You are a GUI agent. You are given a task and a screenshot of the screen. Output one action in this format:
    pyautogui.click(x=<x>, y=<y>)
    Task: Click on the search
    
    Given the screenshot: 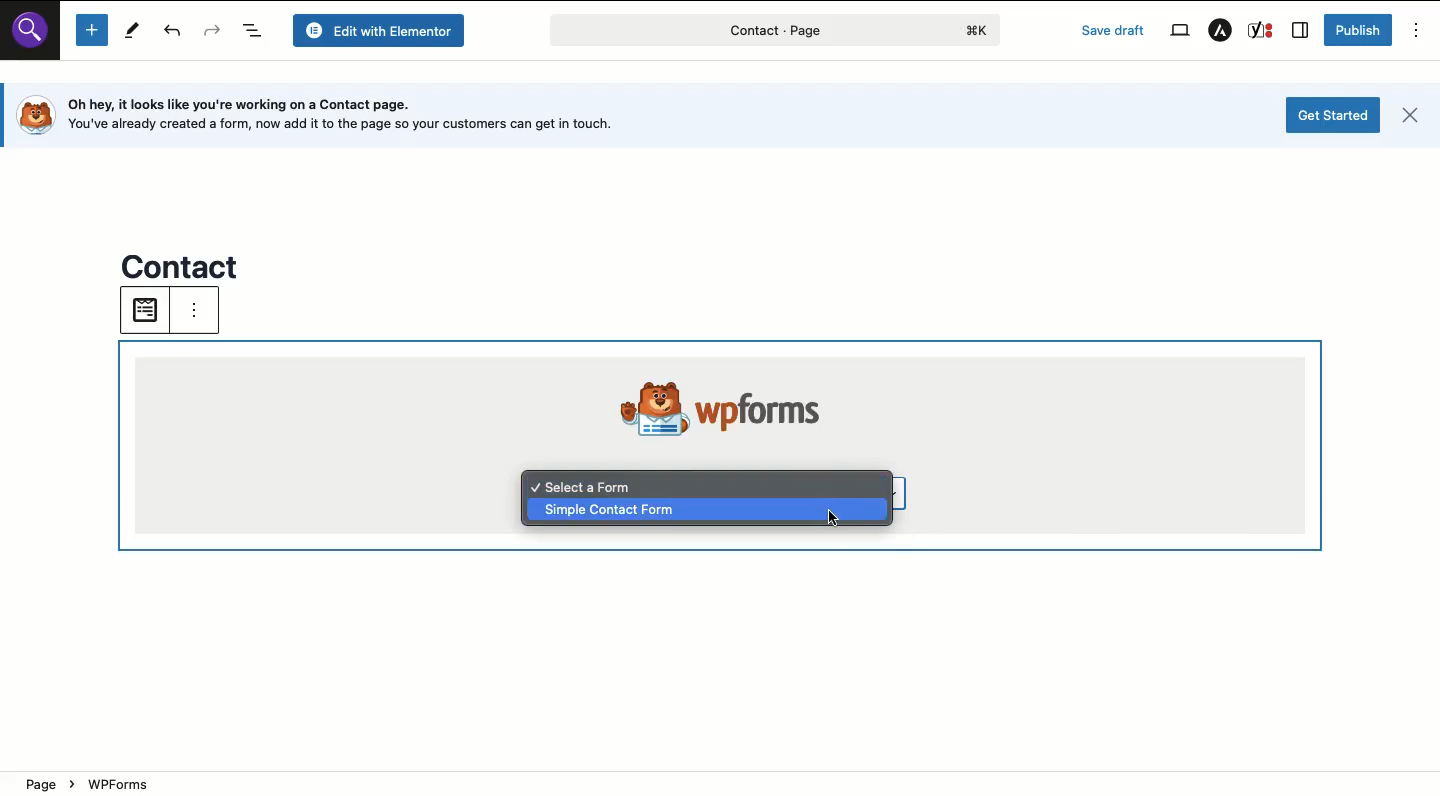 What is the action you would take?
    pyautogui.click(x=36, y=38)
    